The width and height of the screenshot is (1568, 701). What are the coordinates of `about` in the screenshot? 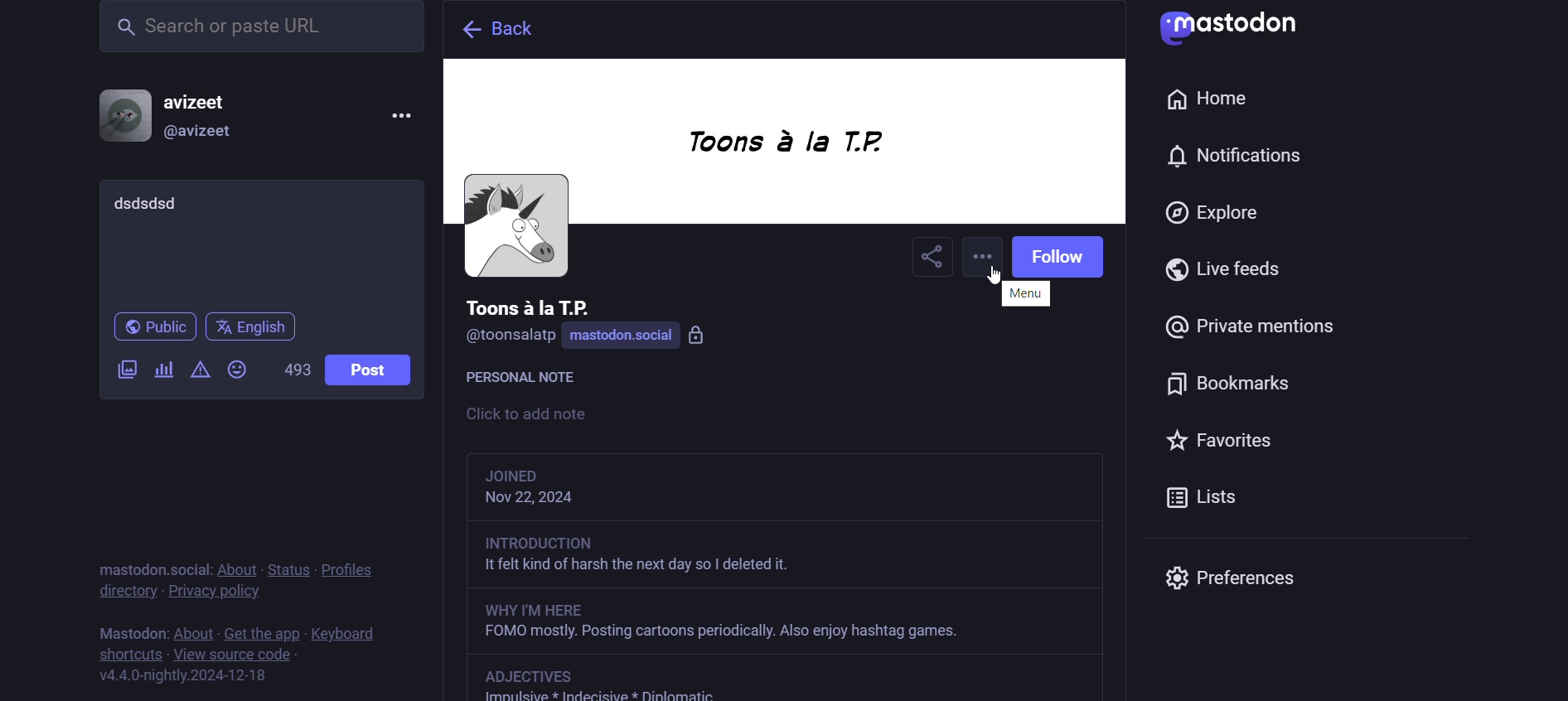 It's located at (191, 626).